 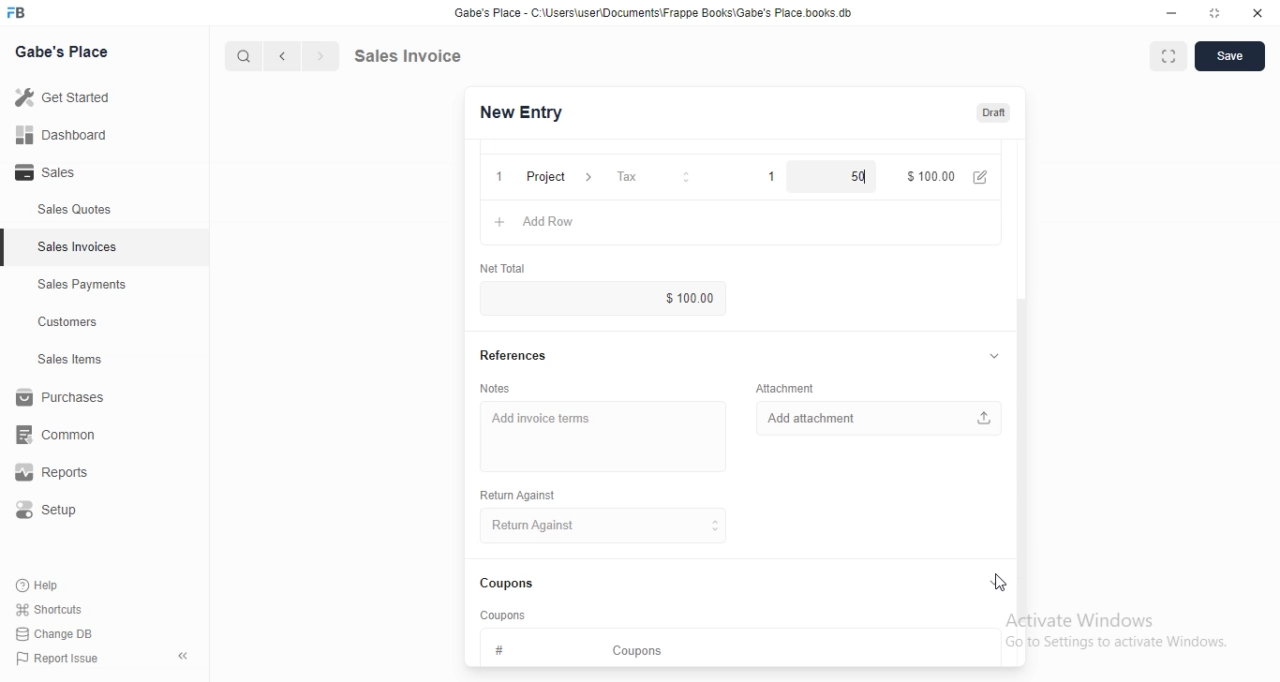 What do you see at coordinates (62, 324) in the screenshot?
I see `Customers.` at bounding box center [62, 324].